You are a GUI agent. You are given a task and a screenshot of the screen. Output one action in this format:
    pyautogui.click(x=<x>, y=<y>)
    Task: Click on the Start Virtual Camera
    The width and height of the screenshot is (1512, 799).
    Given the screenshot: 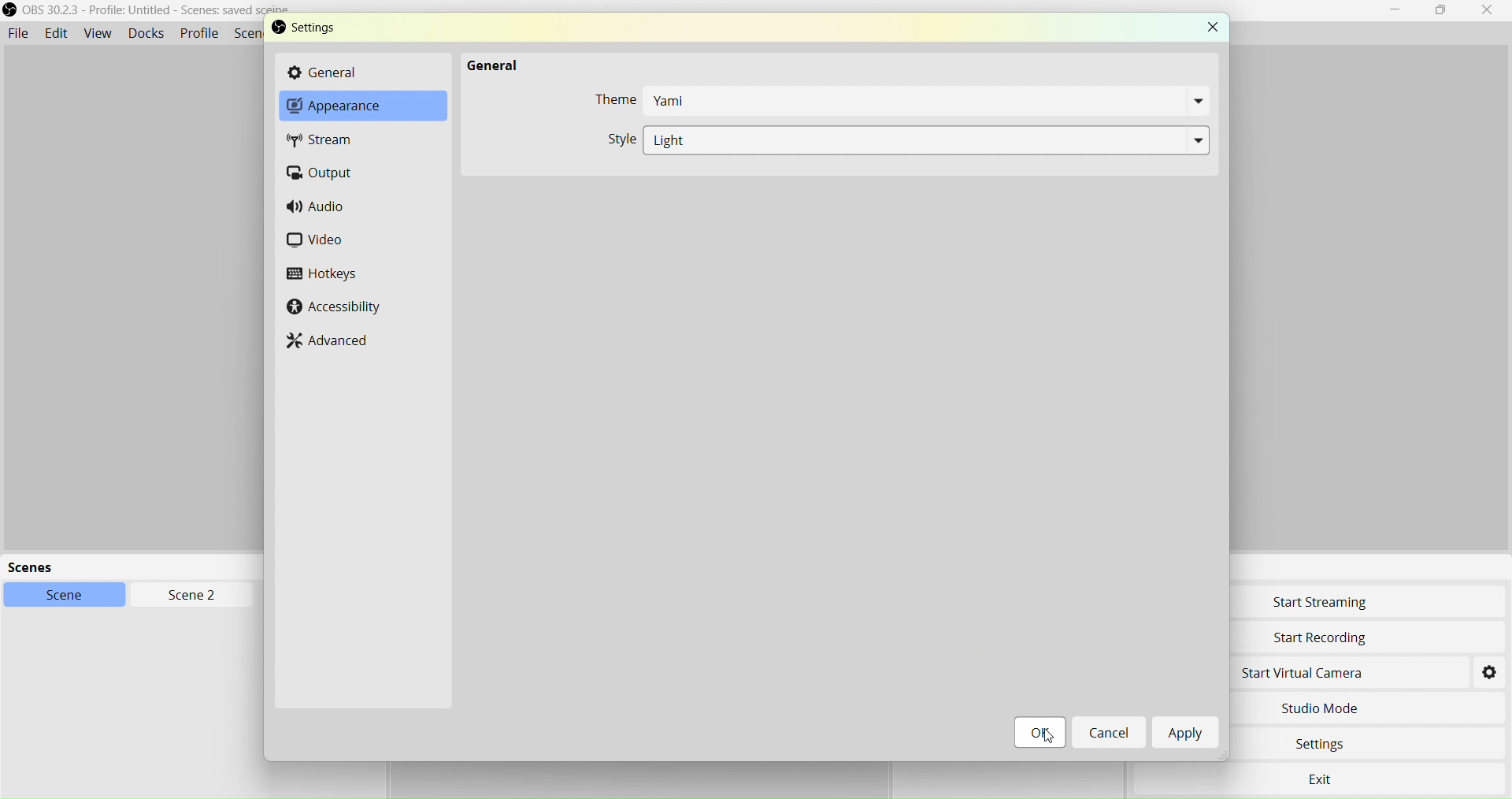 What is the action you would take?
    pyautogui.click(x=1343, y=675)
    